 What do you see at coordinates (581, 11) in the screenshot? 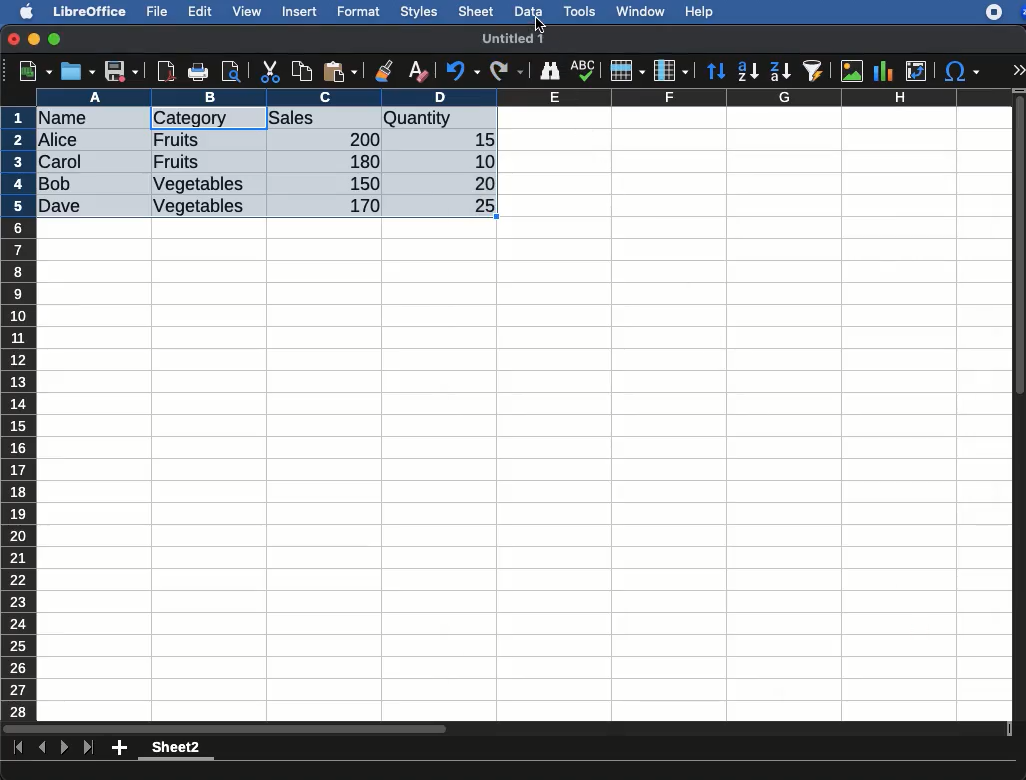
I see `tools` at bounding box center [581, 11].